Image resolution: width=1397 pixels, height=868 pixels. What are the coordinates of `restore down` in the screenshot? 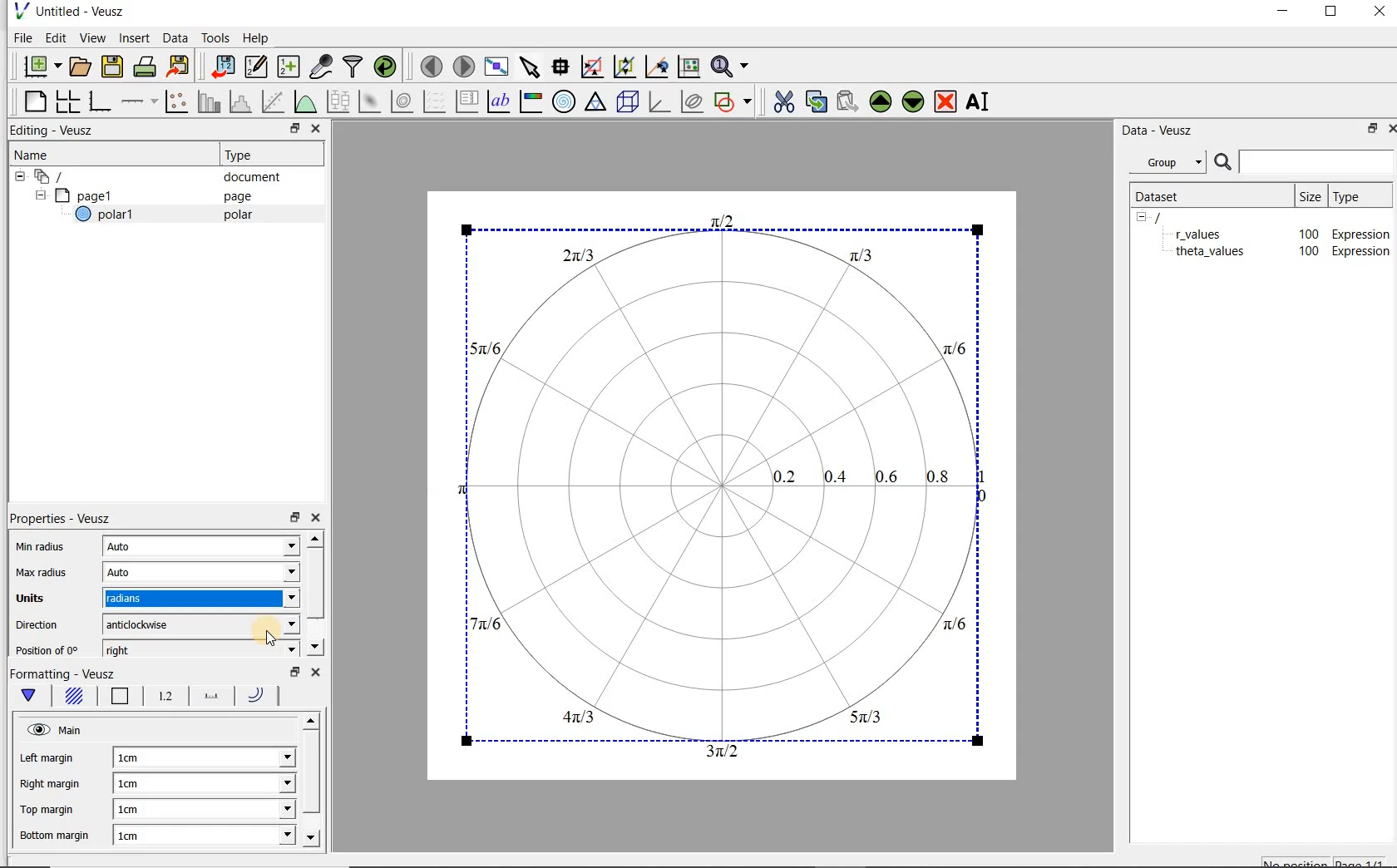 It's located at (290, 131).